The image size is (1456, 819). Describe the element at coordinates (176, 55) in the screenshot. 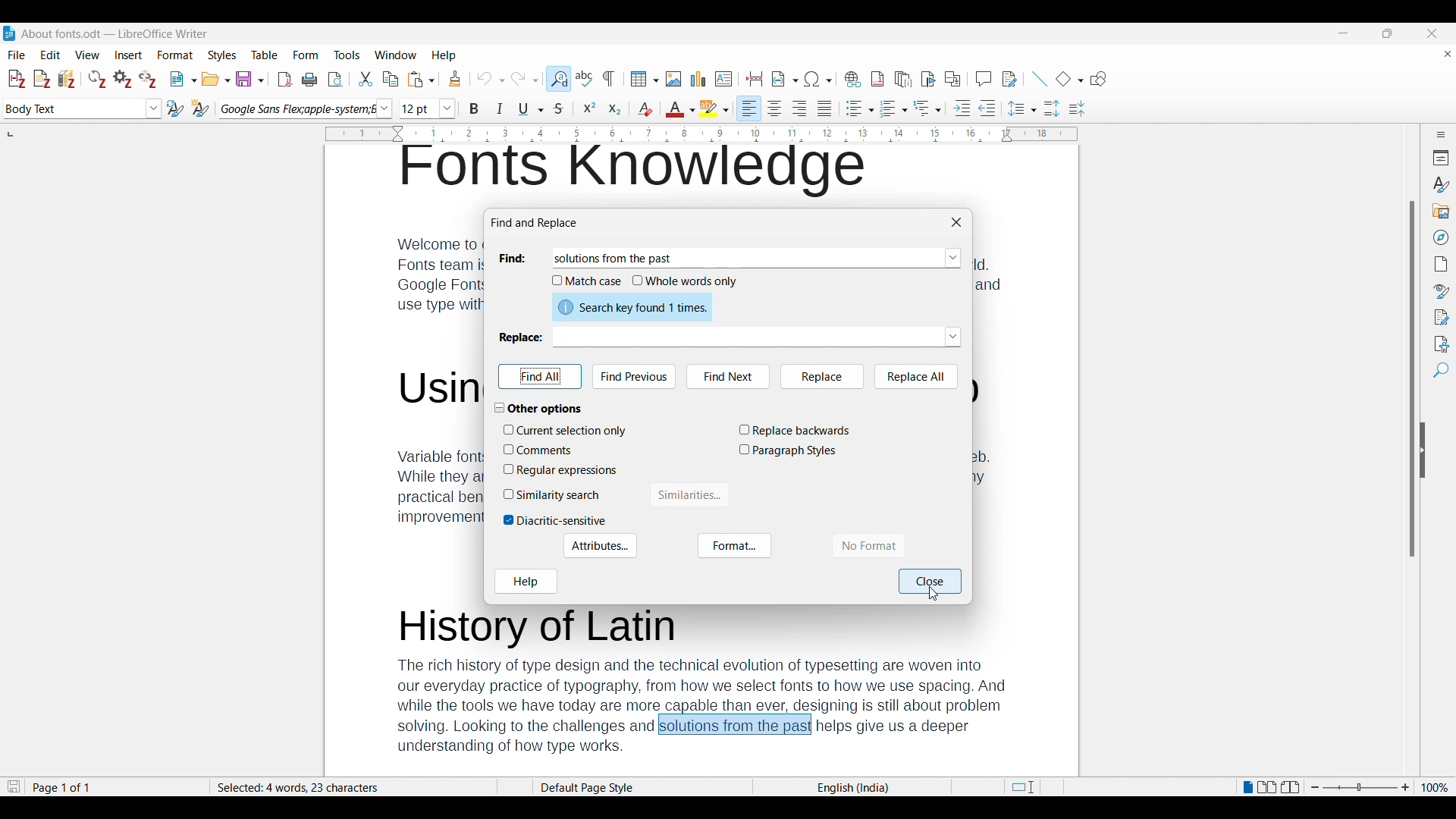

I see `Format menu` at that location.